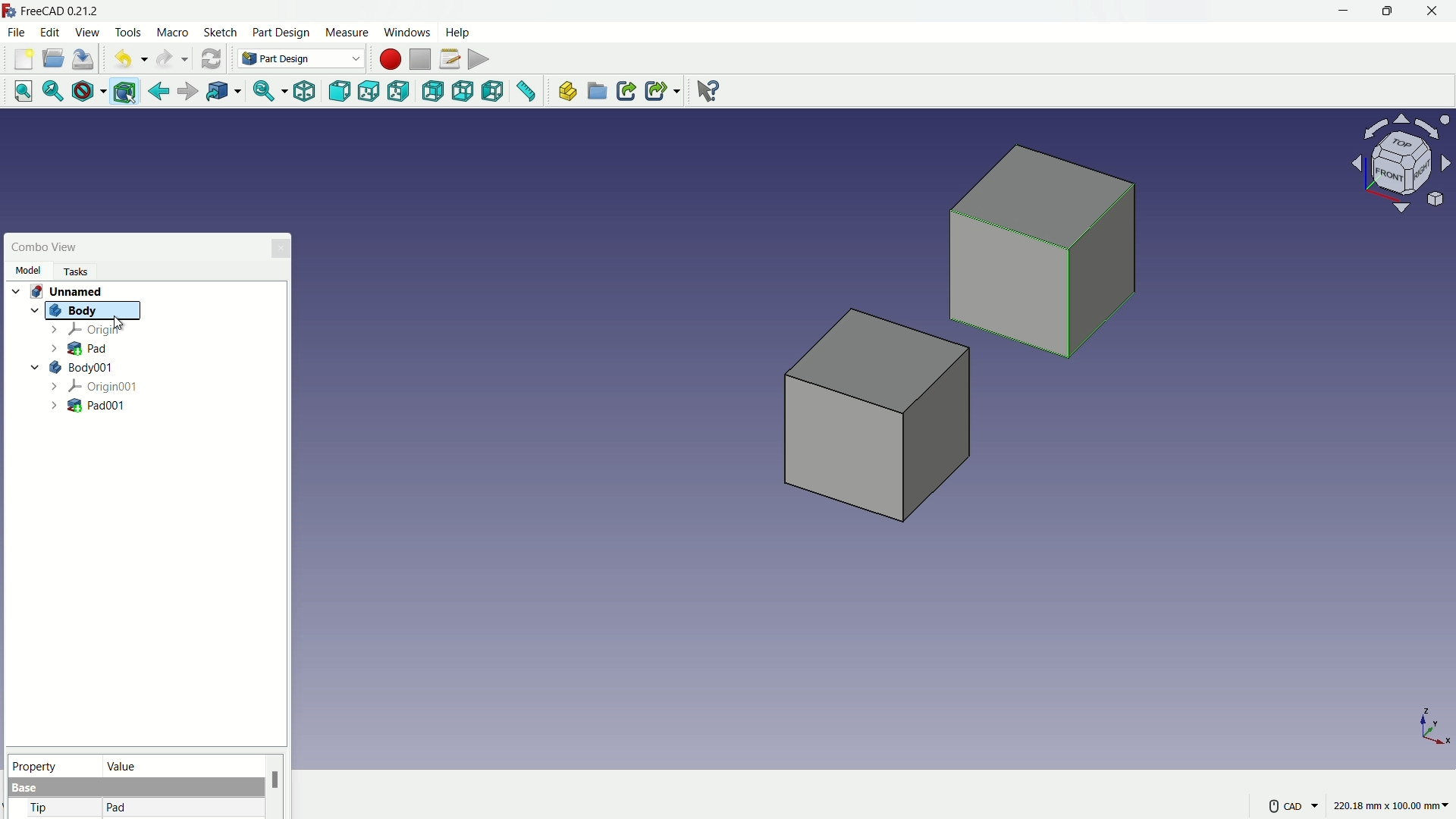 This screenshot has width=1456, height=819. I want to click on measure, so click(346, 33).